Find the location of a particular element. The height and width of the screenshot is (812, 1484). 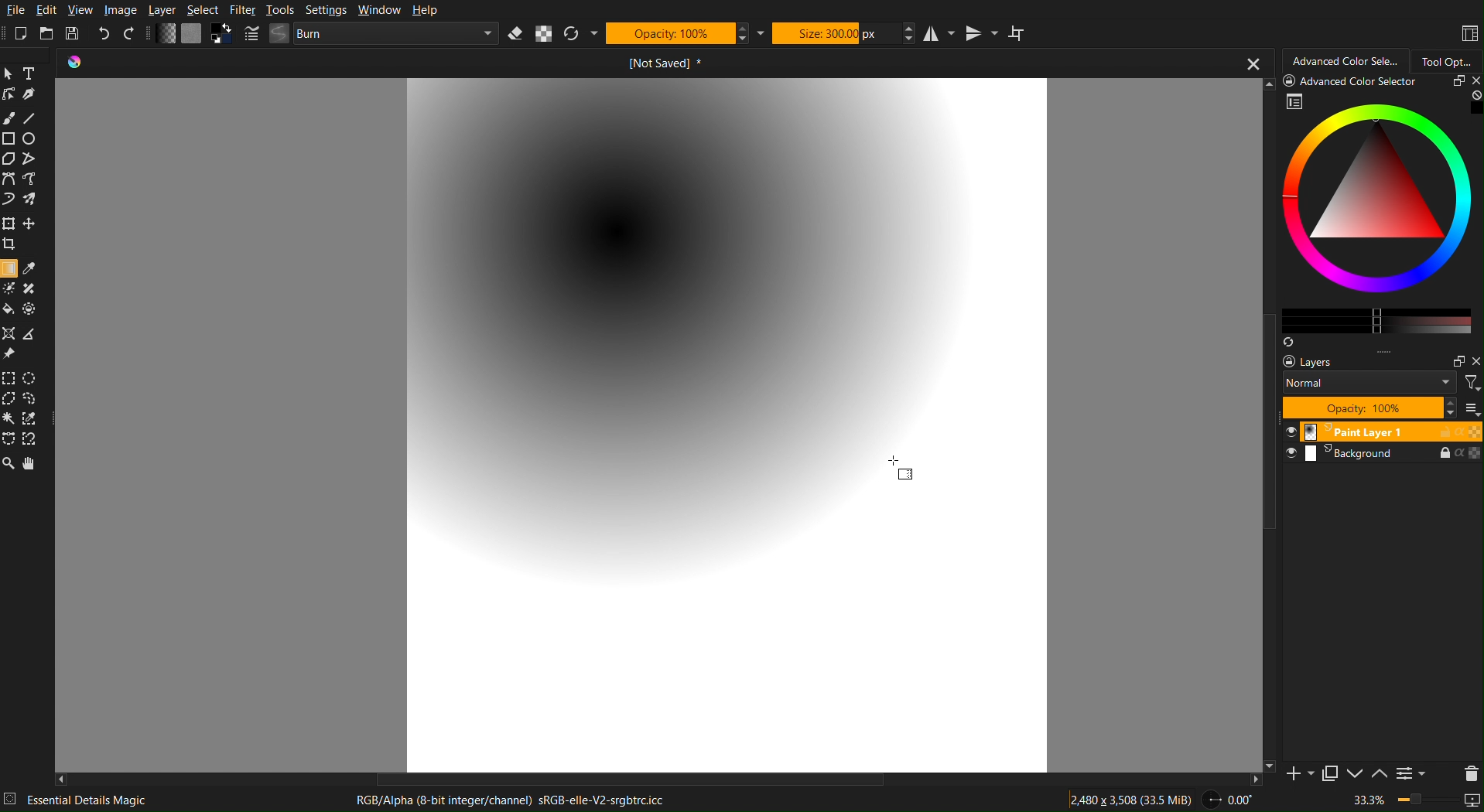

selected Gradient Tool is located at coordinates (10, 268).